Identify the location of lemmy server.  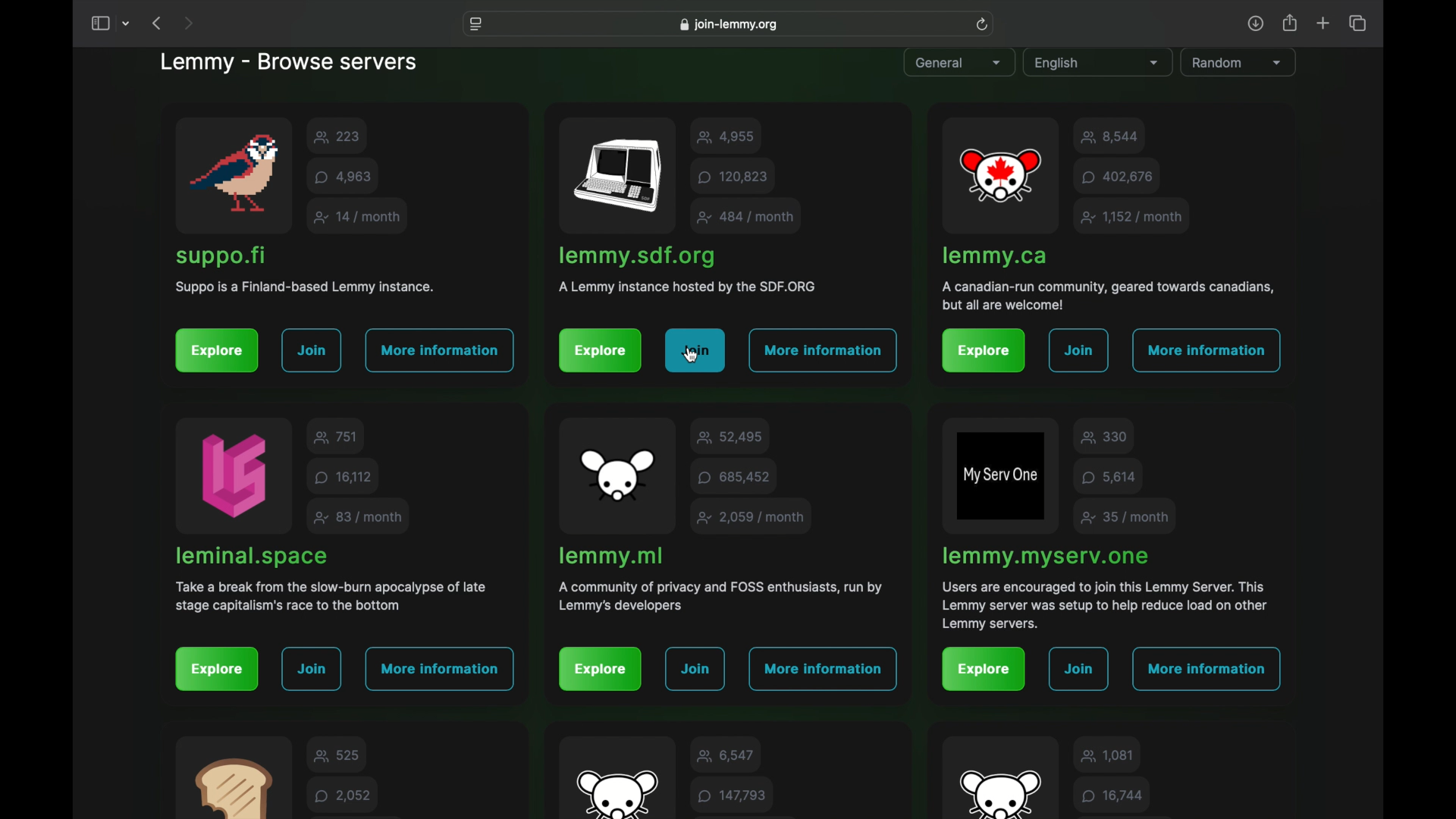
(1045, 557).